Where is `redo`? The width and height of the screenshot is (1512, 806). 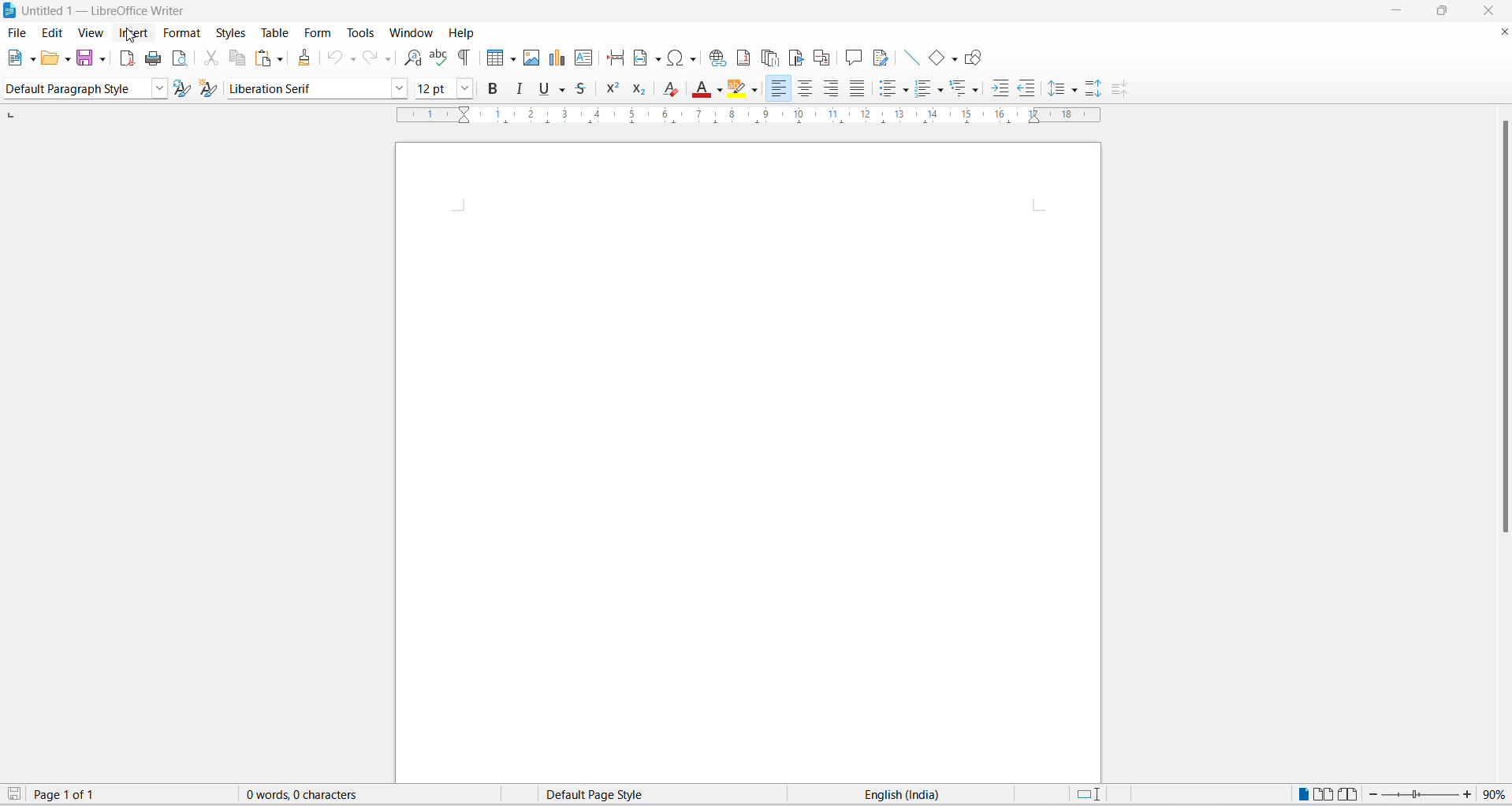
redo is located at coordinates (378, 58).